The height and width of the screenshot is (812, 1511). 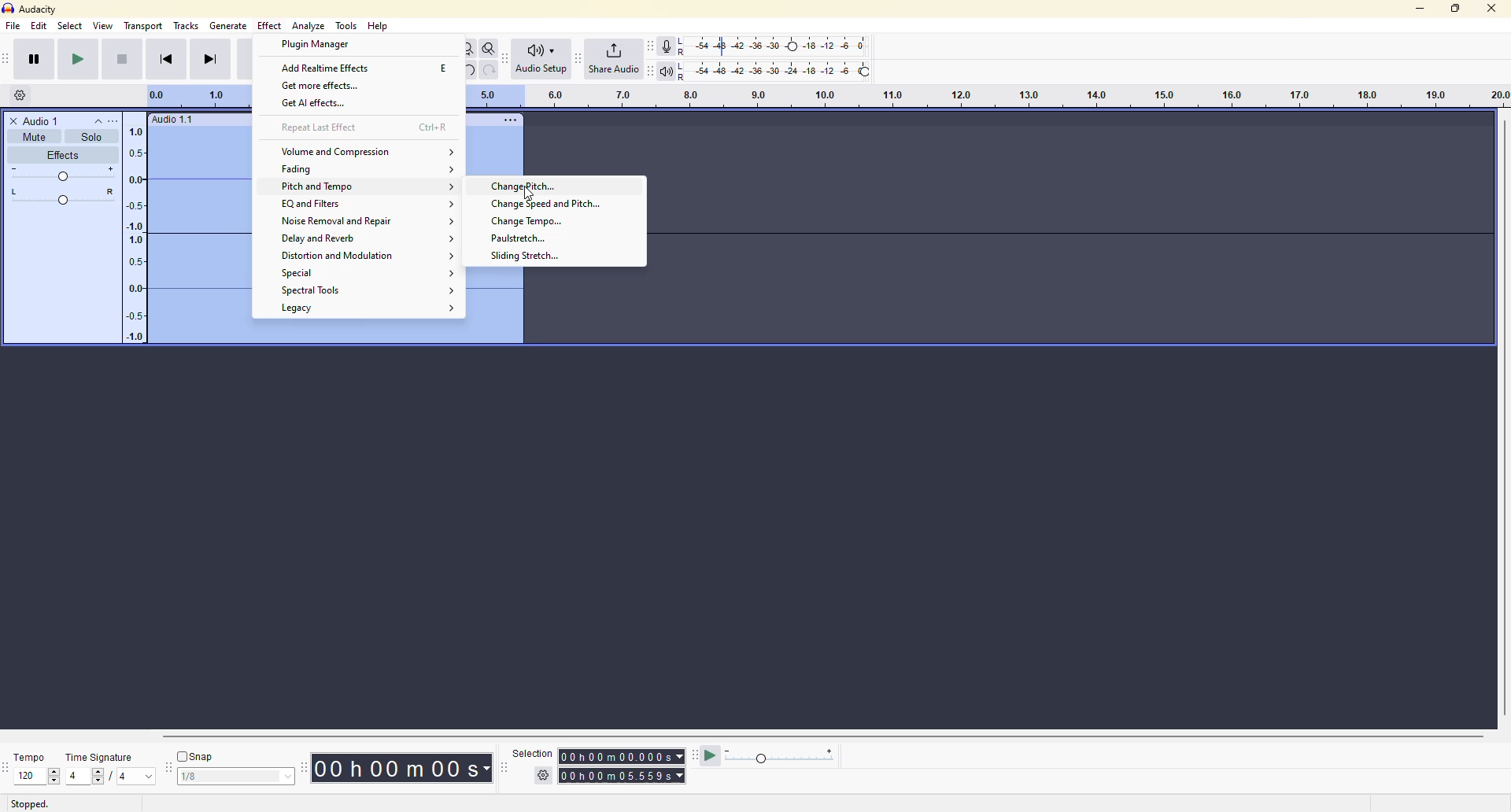 I want to click on settings, so click(x=545, y=775).